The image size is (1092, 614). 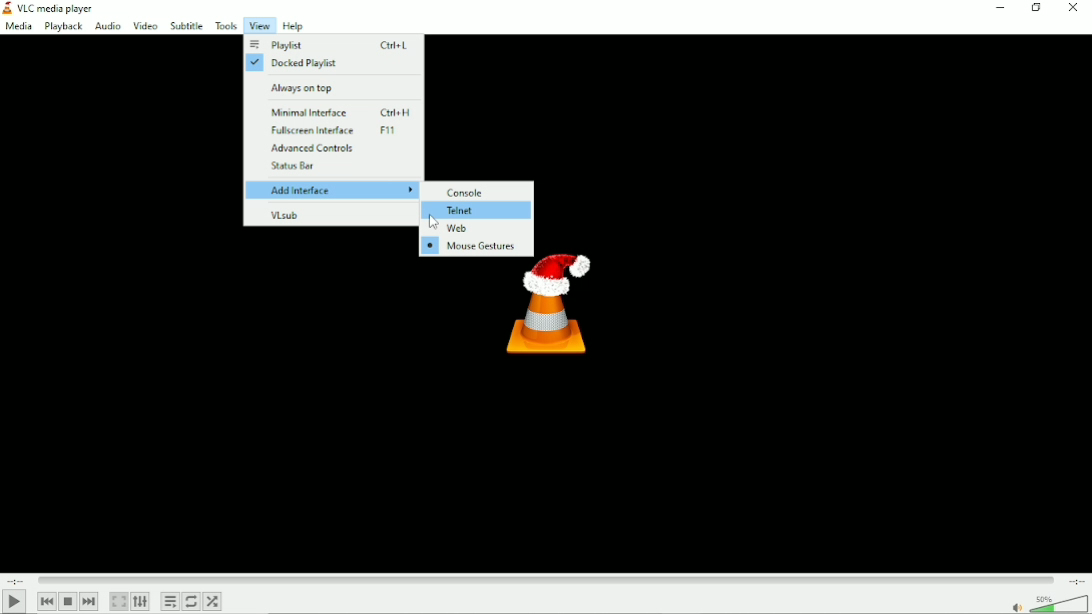 I want to click on , so click(x=1073, y=9).